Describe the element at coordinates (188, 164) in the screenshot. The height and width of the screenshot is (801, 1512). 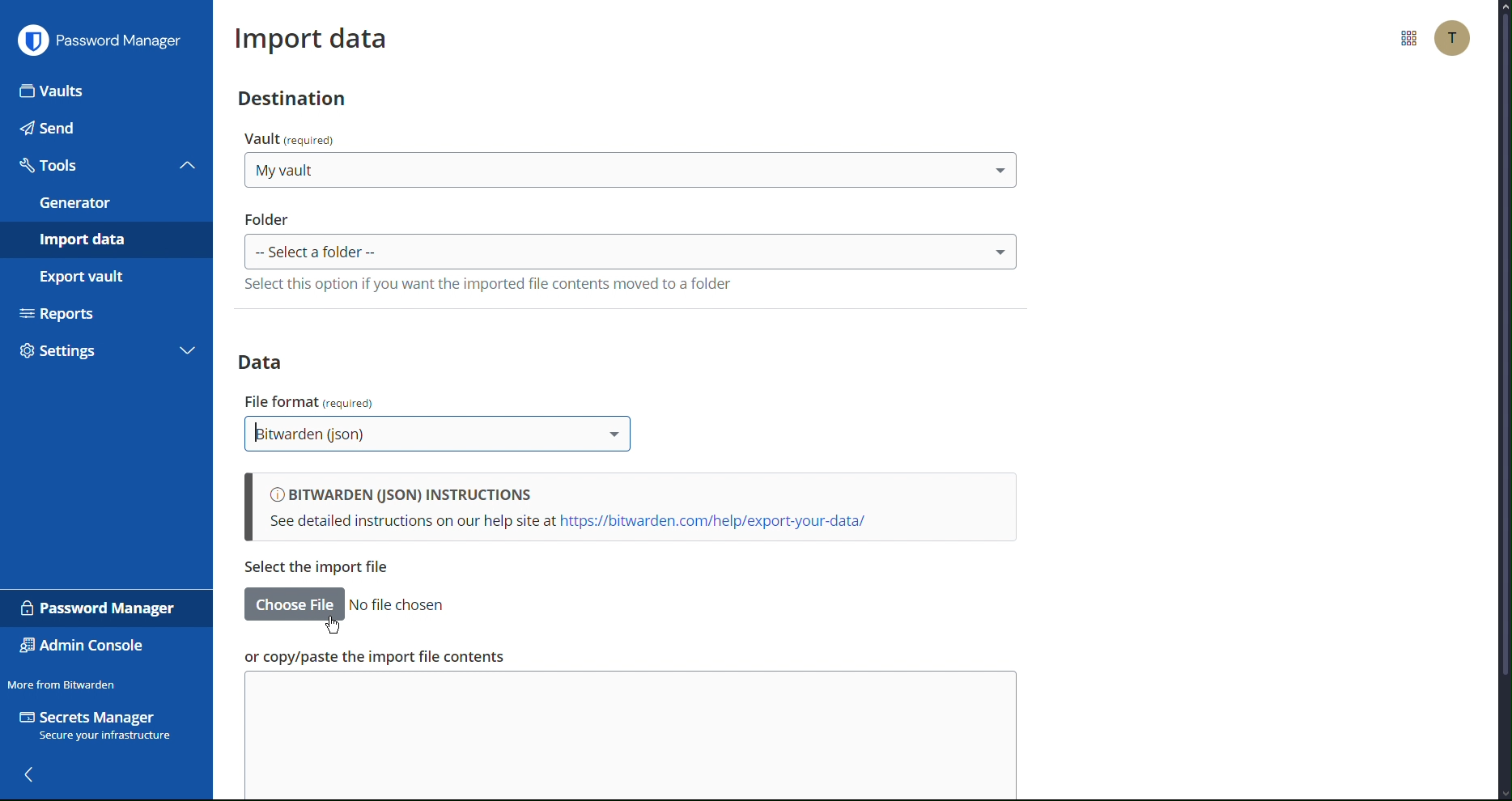
I see `collapse tools` at that location.